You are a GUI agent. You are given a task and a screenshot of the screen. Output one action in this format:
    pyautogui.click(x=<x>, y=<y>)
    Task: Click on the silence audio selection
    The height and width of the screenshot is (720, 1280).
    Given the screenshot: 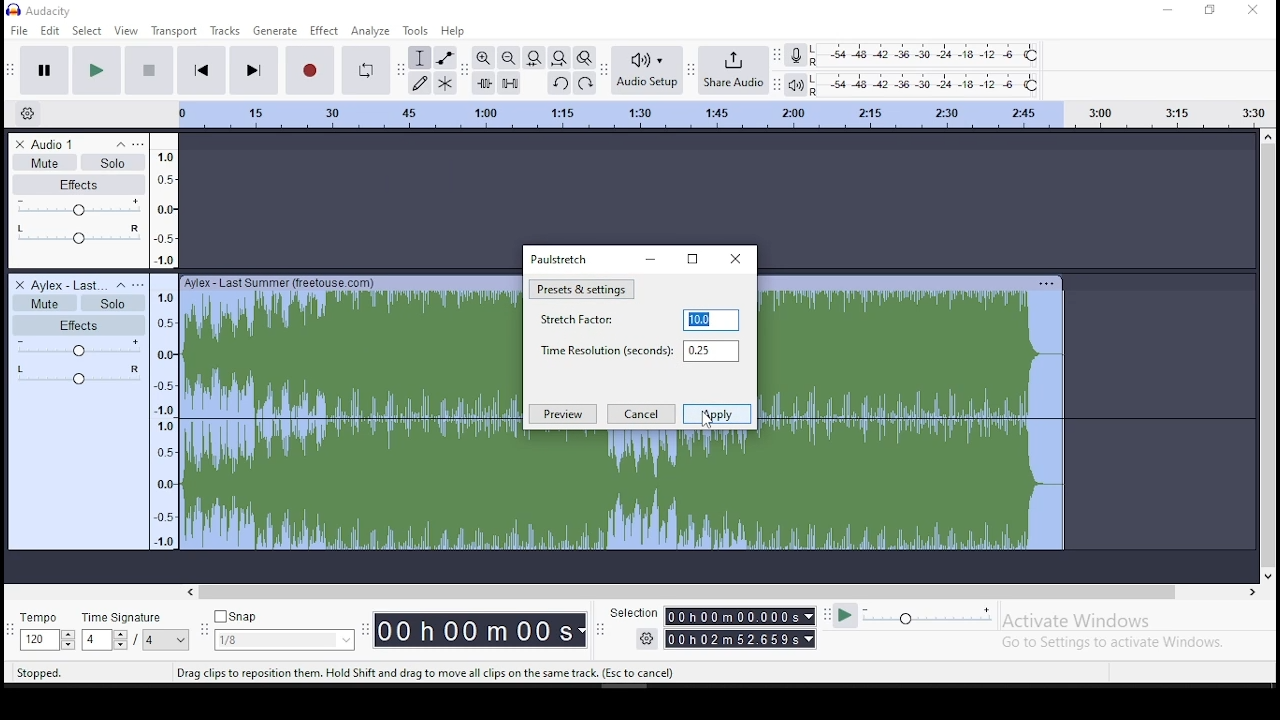 What is the action you would take?
    pyautogui.click(x=510, y=83)
    